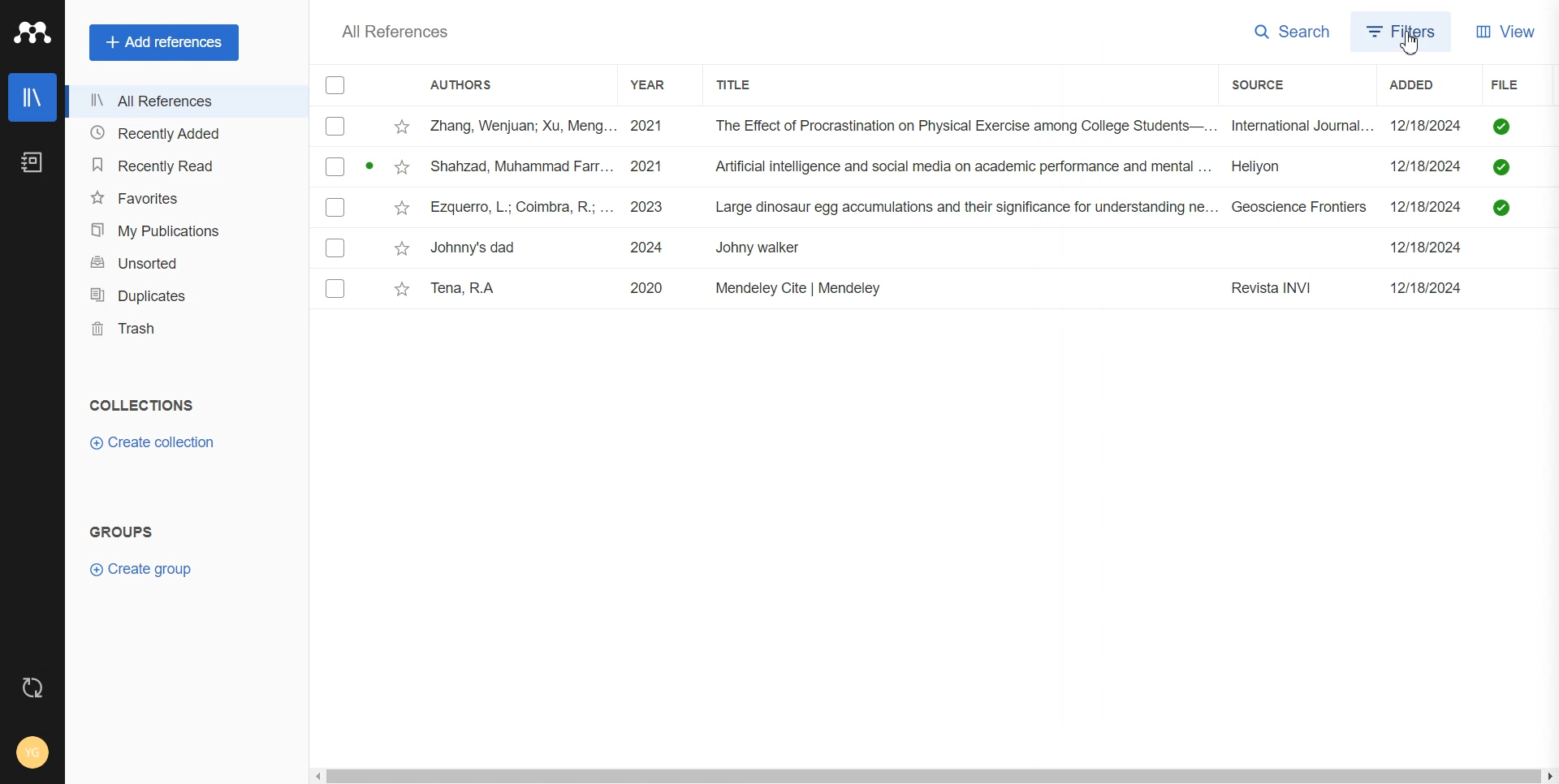 The height and width of the screenshot is (784, 1559). I want to click on Auto Sync, so click(33, 688).